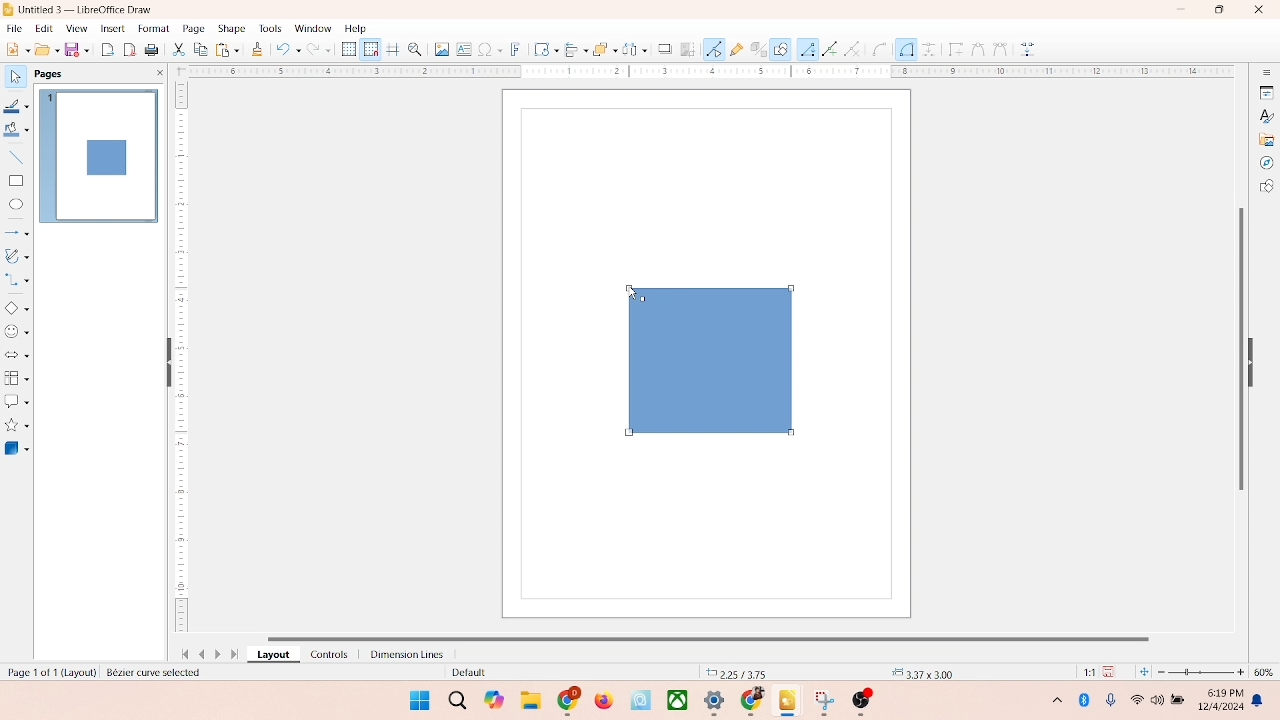 Image resolution: width=1280 pixels, height=720 pixels. Describe the element at coordinates (402, 654) in the screenshot. I see `dimension lines` at that location.